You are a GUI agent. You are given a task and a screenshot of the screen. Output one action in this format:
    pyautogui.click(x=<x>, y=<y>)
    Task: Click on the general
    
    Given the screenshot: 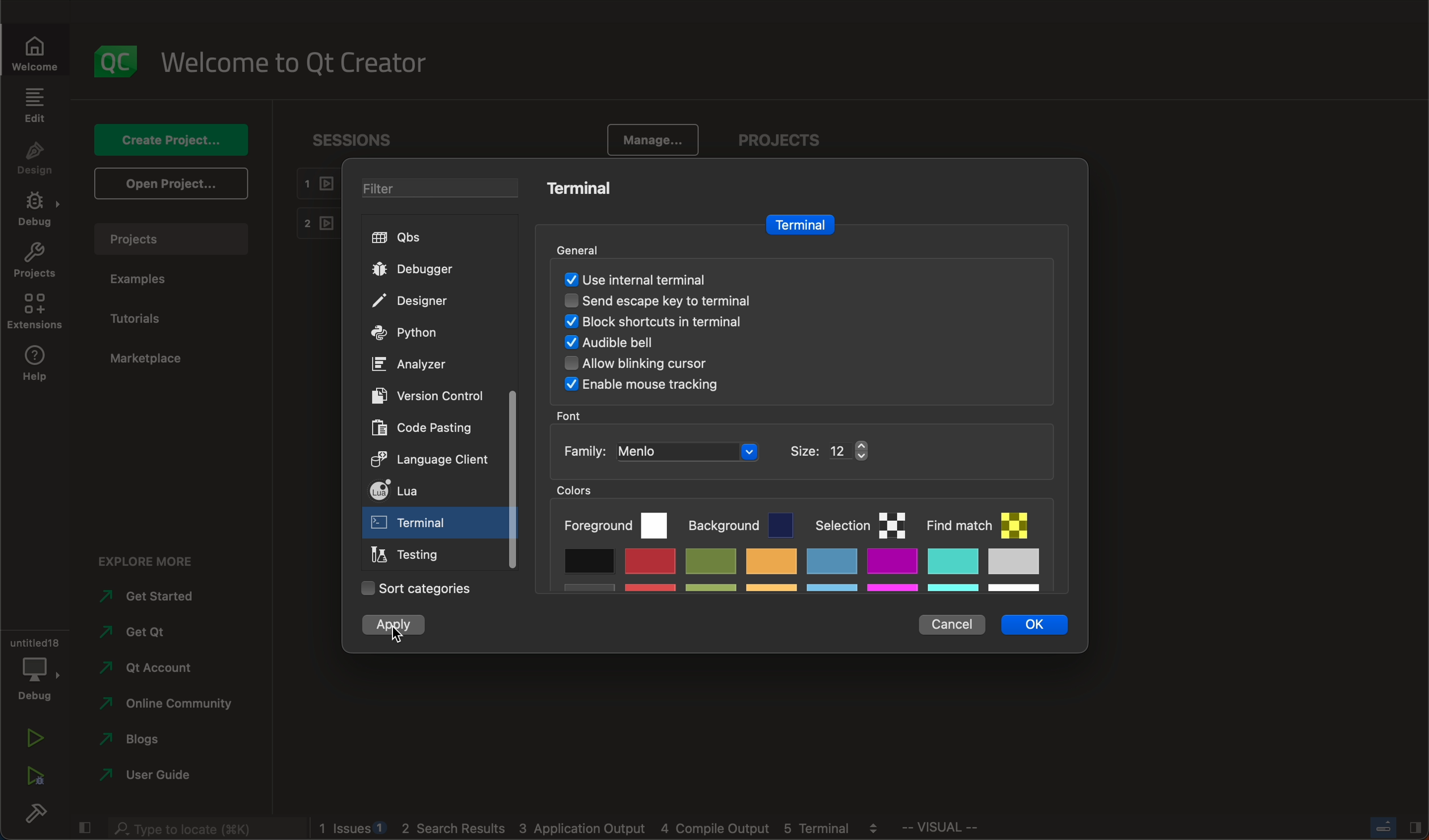 What is the action you would take?
    pyautogui.click(x=587, y=245)
    